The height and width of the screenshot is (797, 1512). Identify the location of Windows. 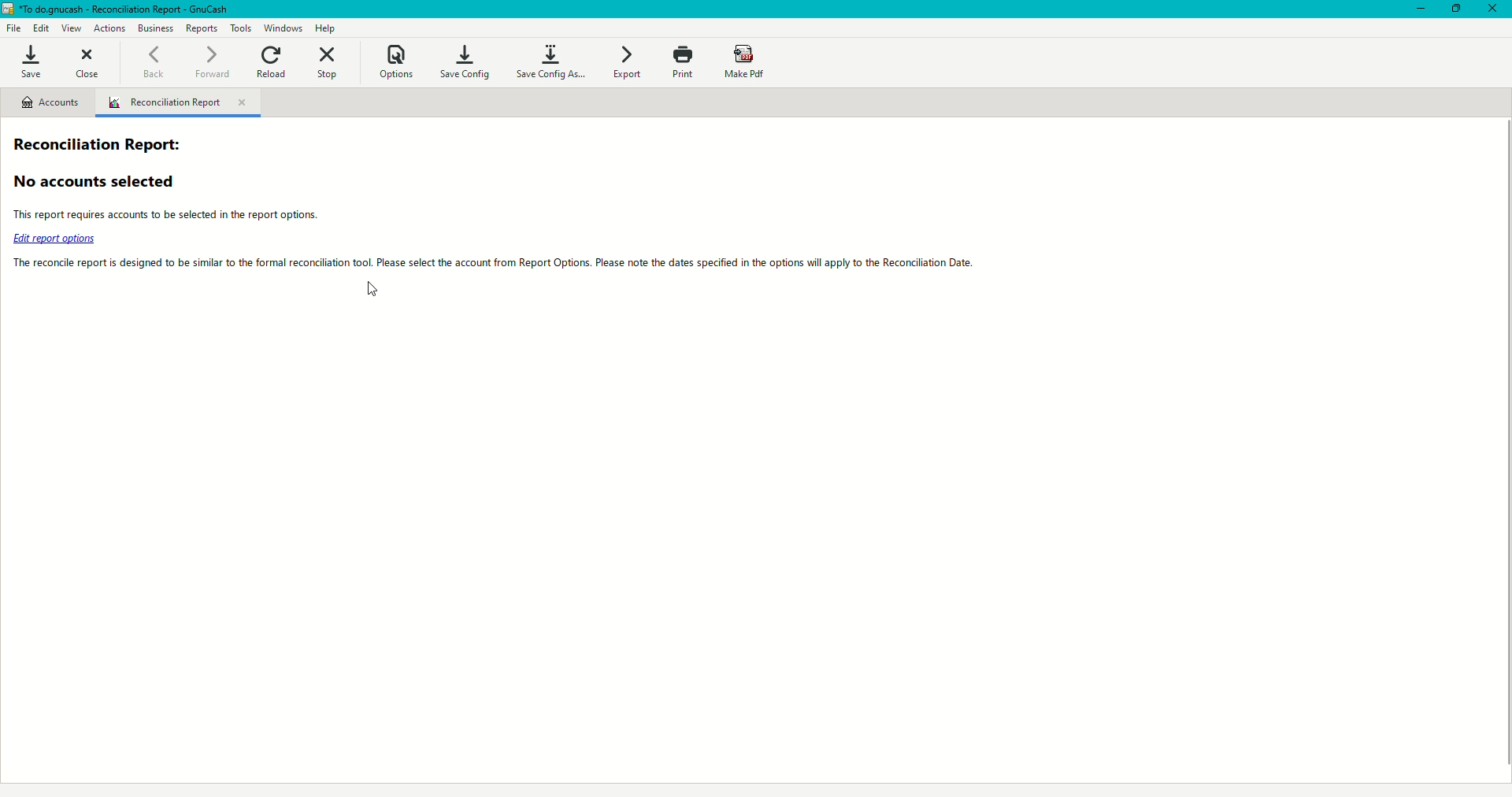
(287, 28).